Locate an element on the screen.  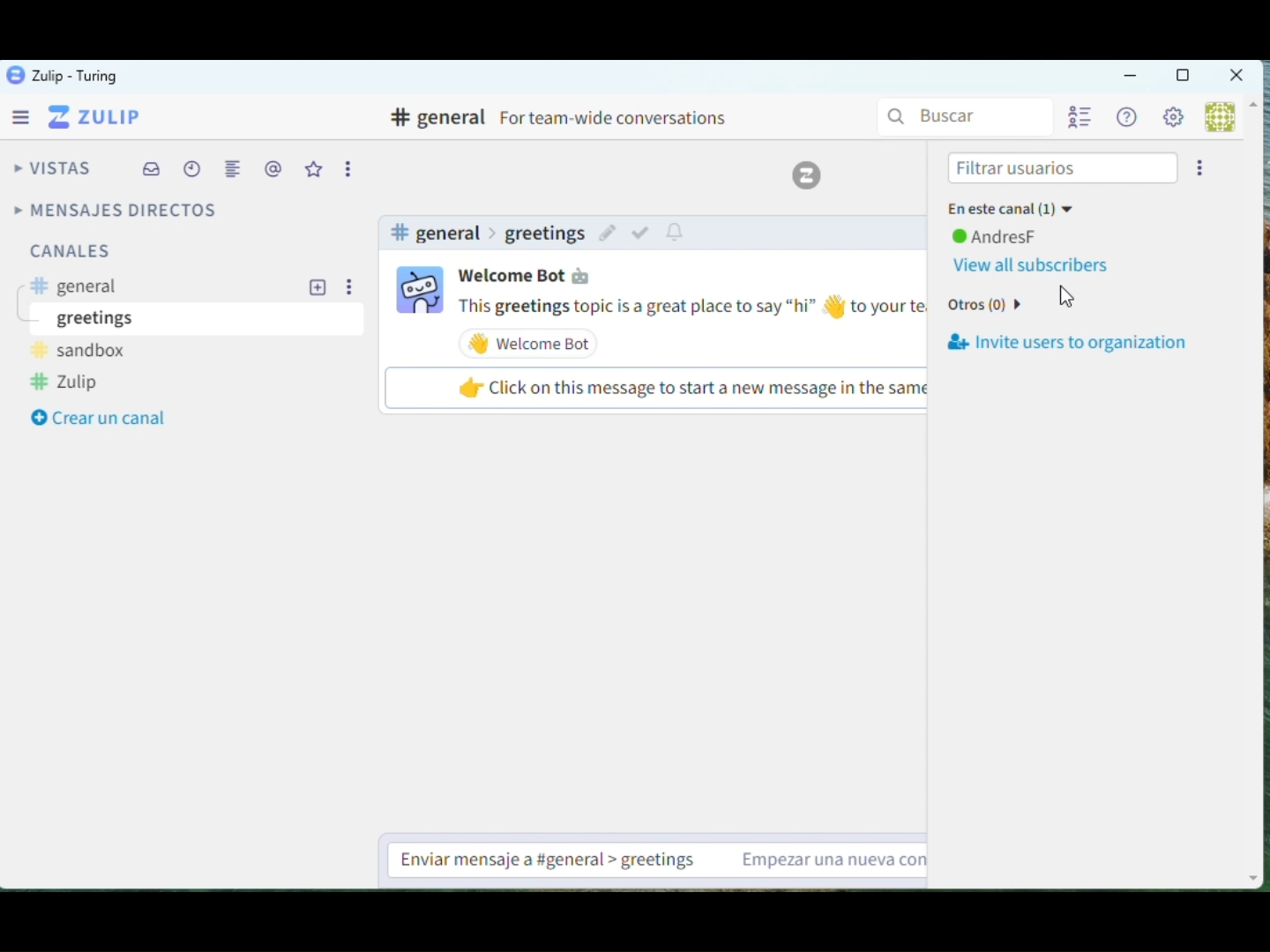
Zulip is located at coordinates (807, 176).